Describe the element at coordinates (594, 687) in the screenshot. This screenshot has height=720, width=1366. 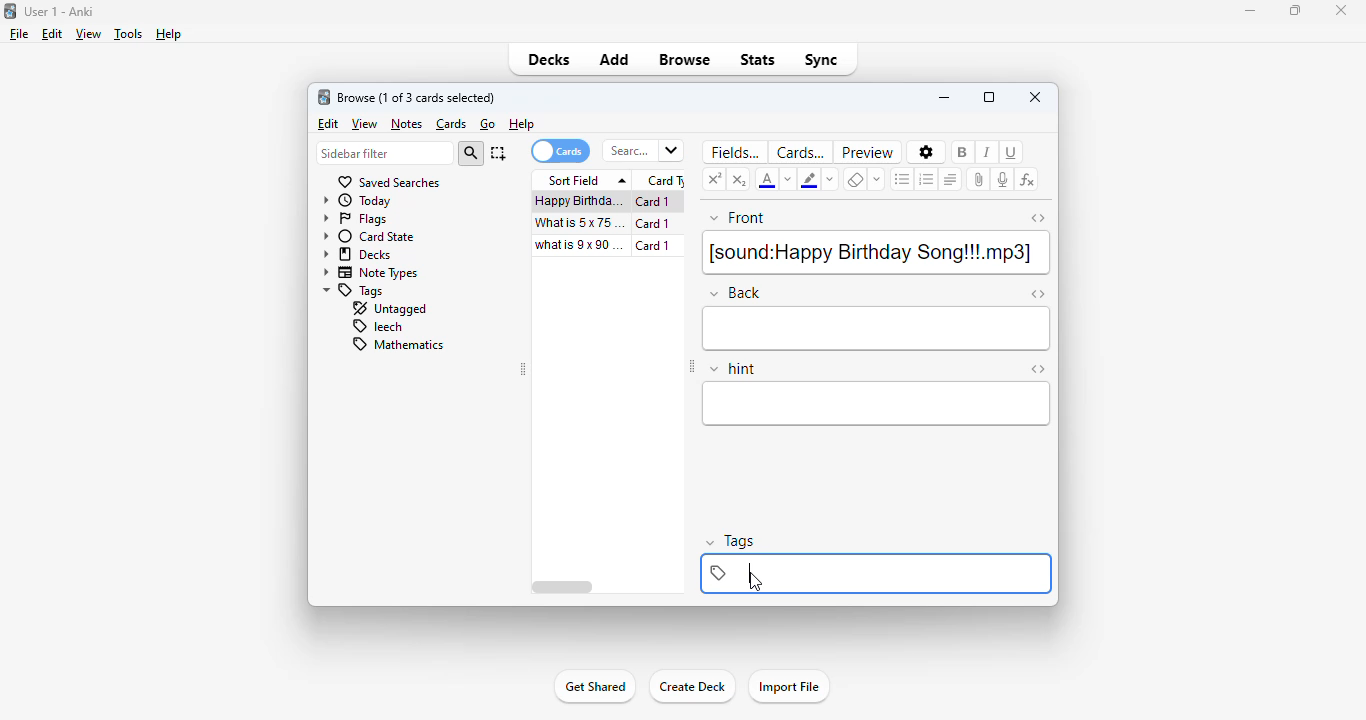
I see `get shared` at that location.